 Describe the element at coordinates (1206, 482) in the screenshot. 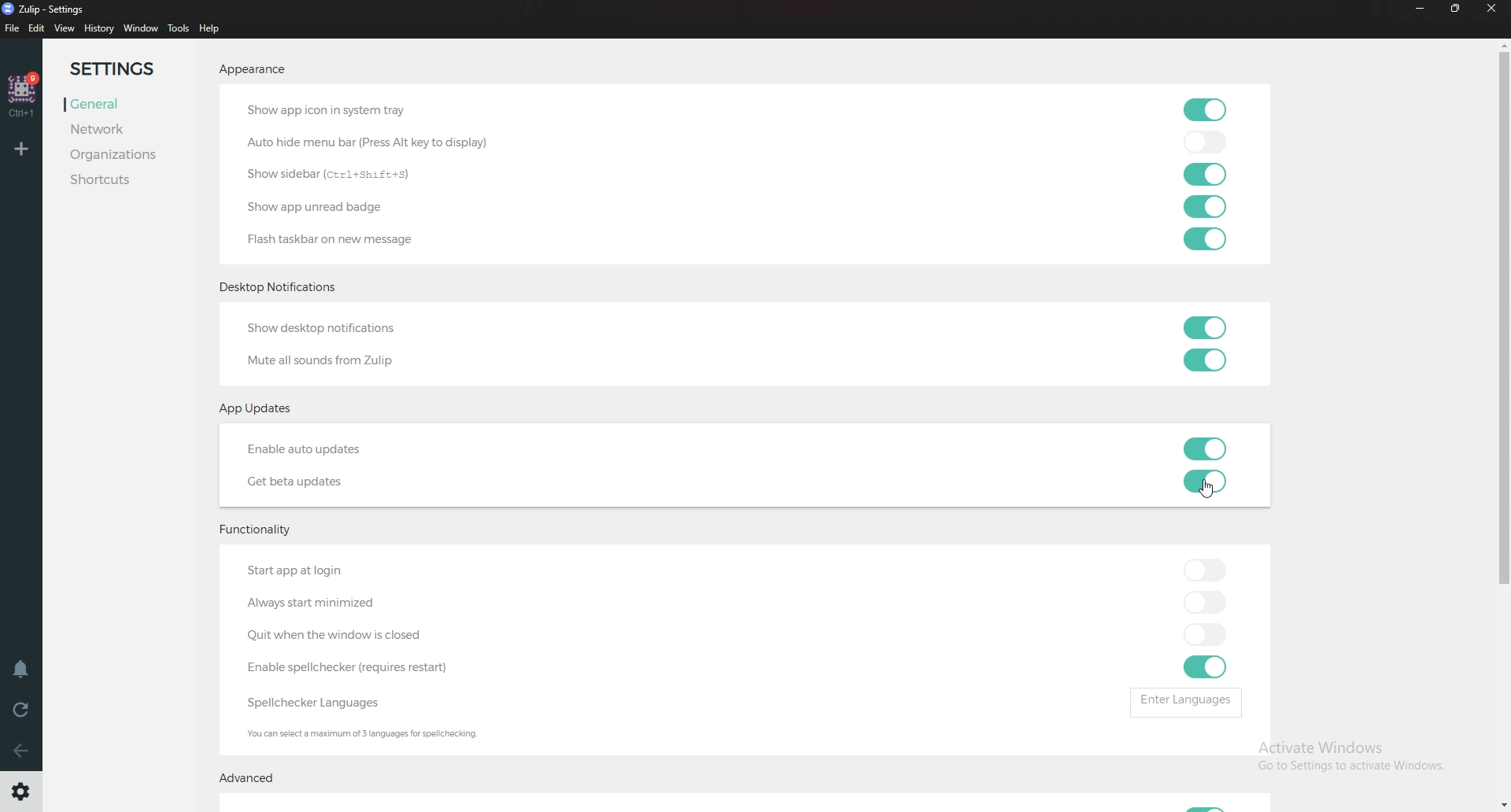

I see `toggle` at that location.